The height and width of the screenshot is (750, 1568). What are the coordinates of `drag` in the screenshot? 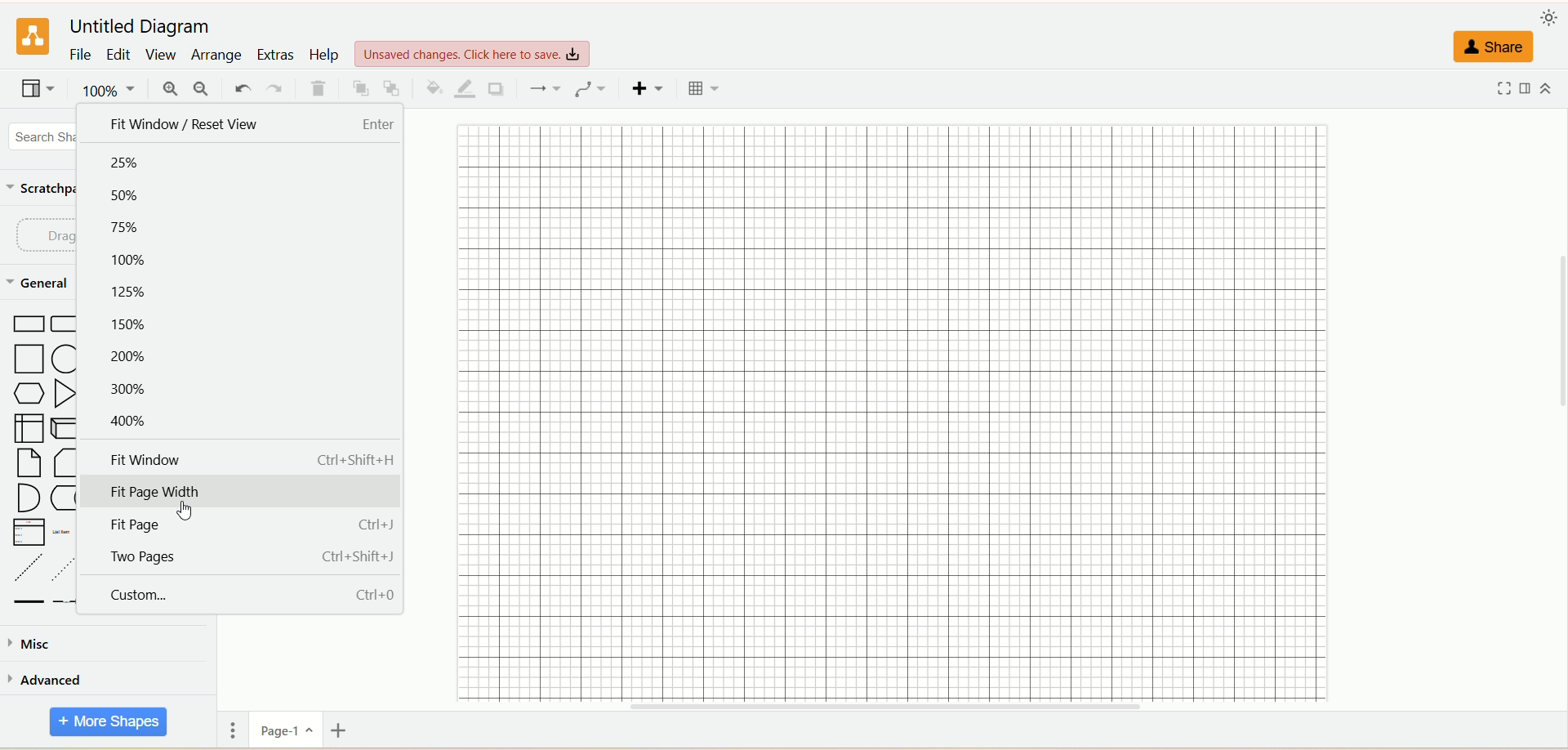 It's located at (51, 235).